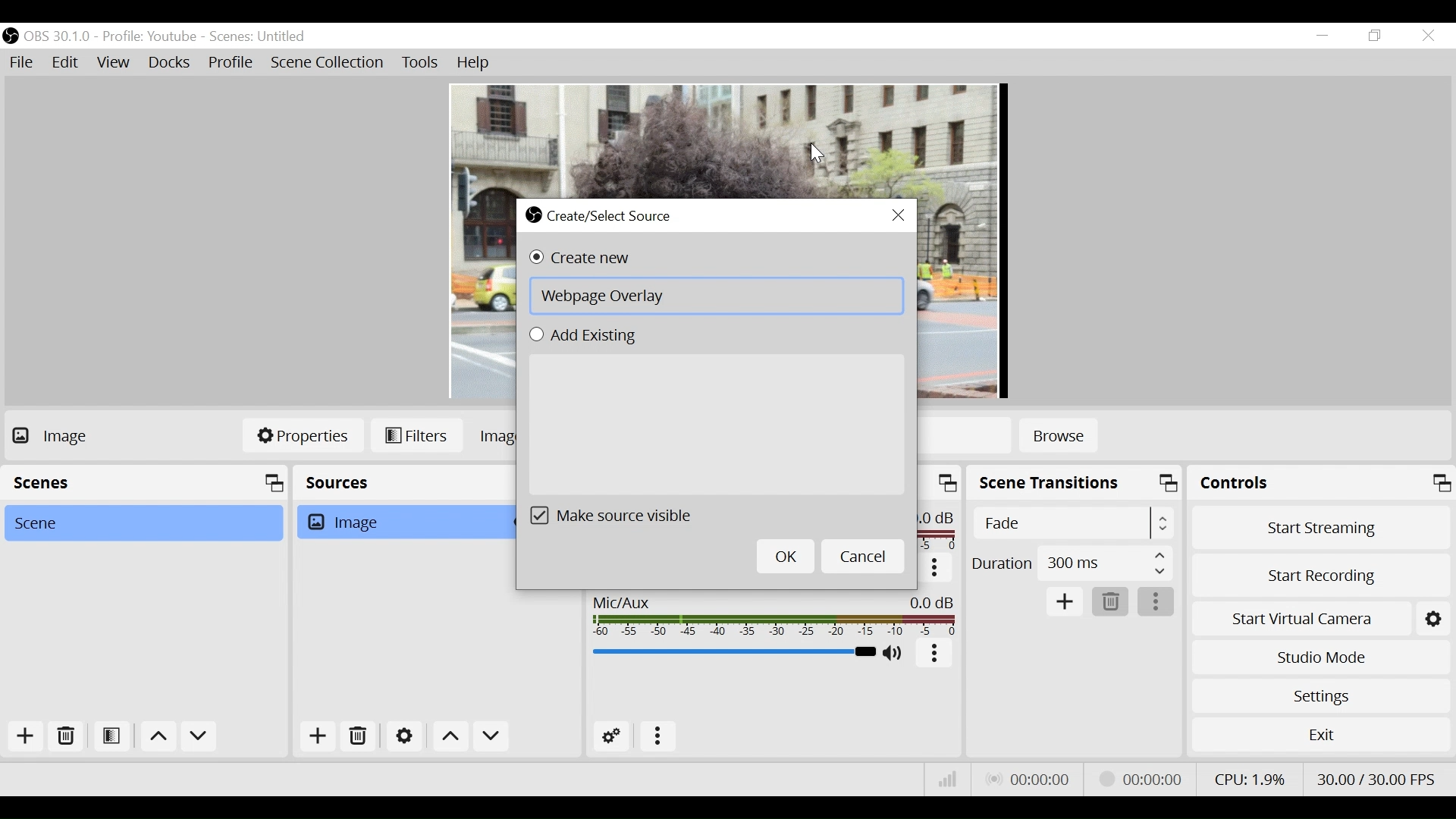 The width and height of the screenshot is (1456, 819). What do you see at coordinates (1155, 601) in the screenshot?
I see `More Options` at bounding box center [1155, 601].